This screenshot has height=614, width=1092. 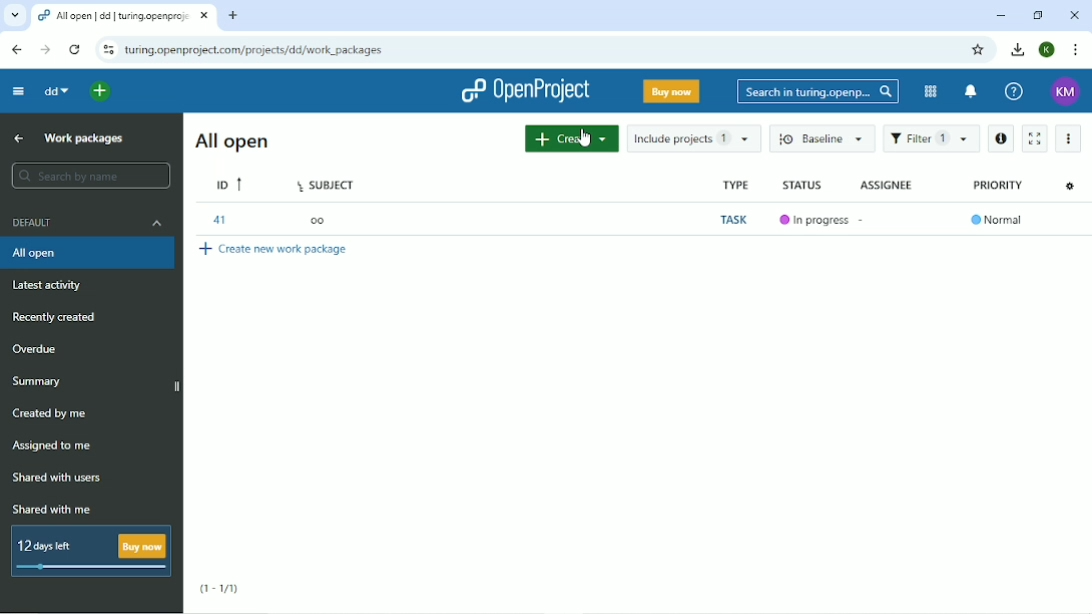 I want to click on Create new work package, so click(x=274, y=248).